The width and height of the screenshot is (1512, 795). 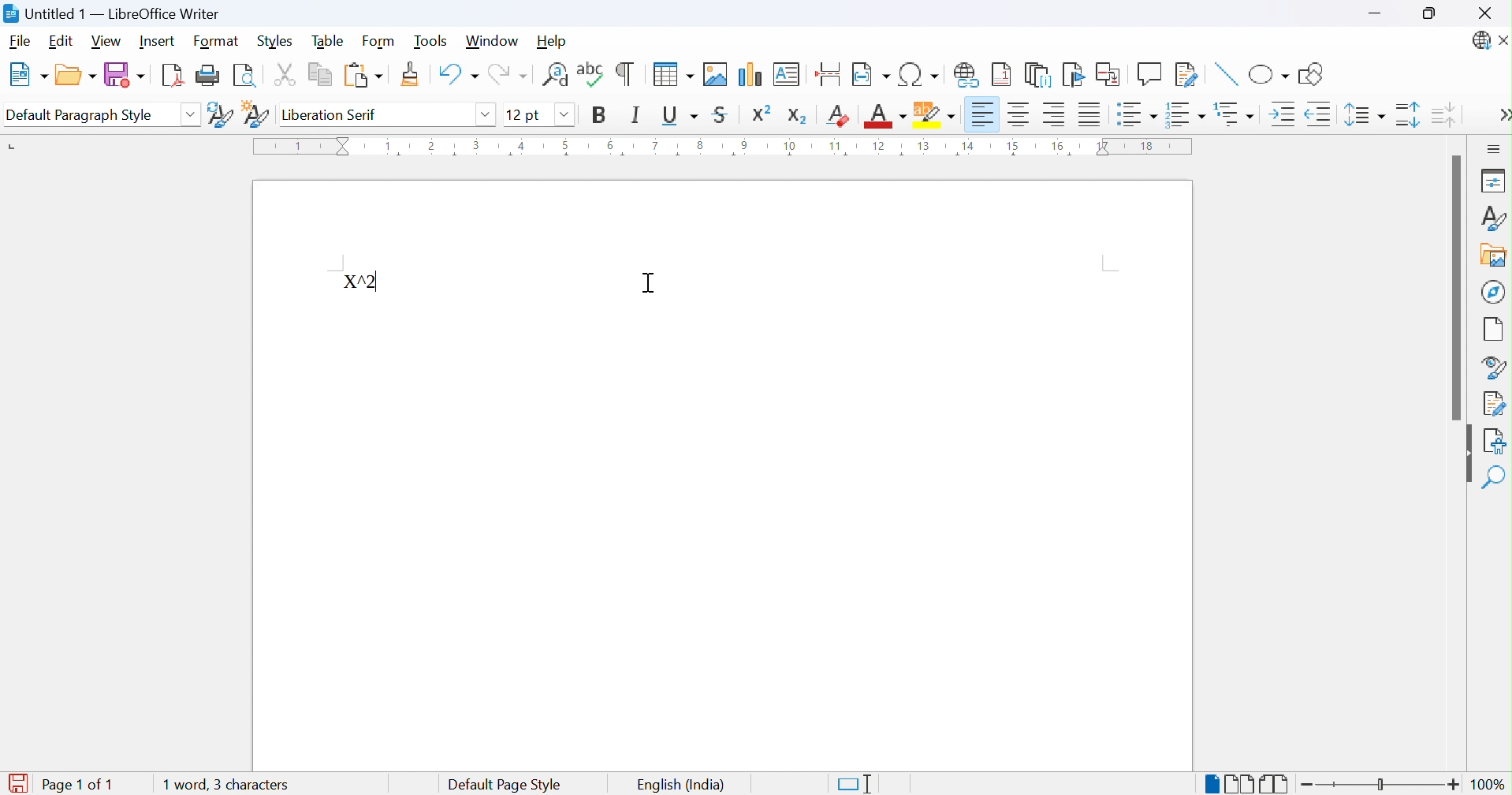 I want to click on Ibeam Cursor, so click(x=650, y=282).